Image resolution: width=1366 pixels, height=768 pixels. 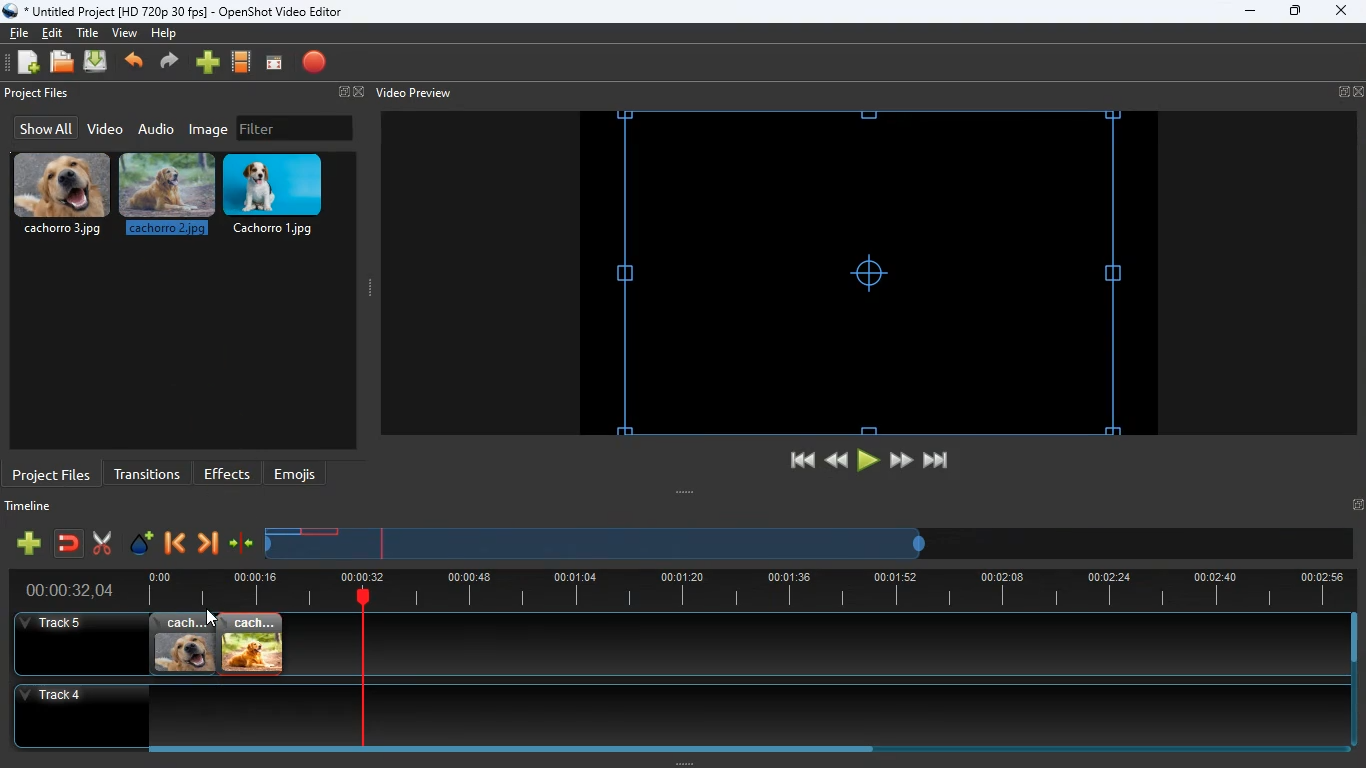 What do you see at coordinates (172, 63) in the screenshot?
I see `forward` at bounding box center [172, 63].